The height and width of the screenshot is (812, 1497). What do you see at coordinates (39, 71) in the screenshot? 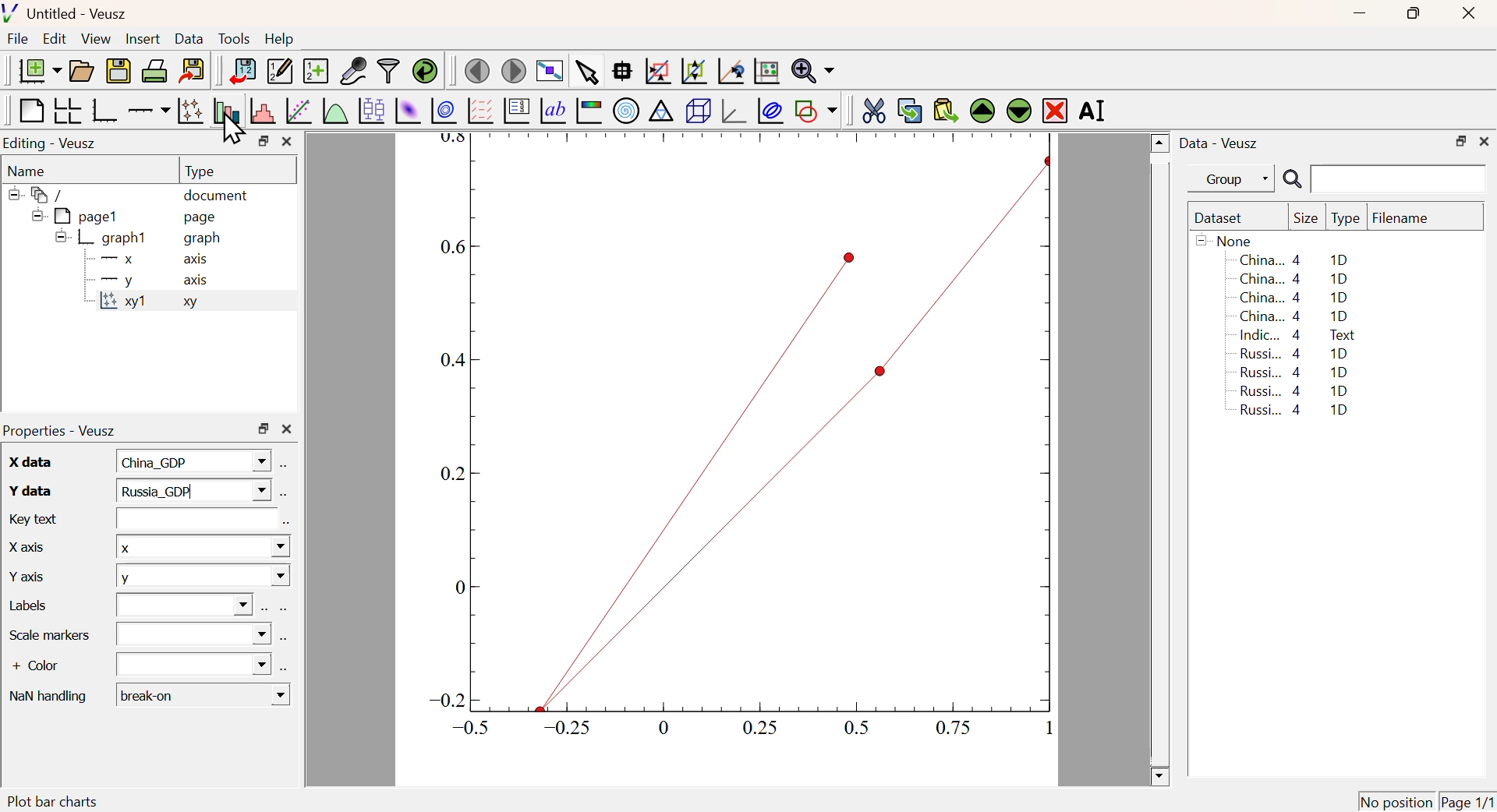
I see `New Document` at bounding box center [39, 71].